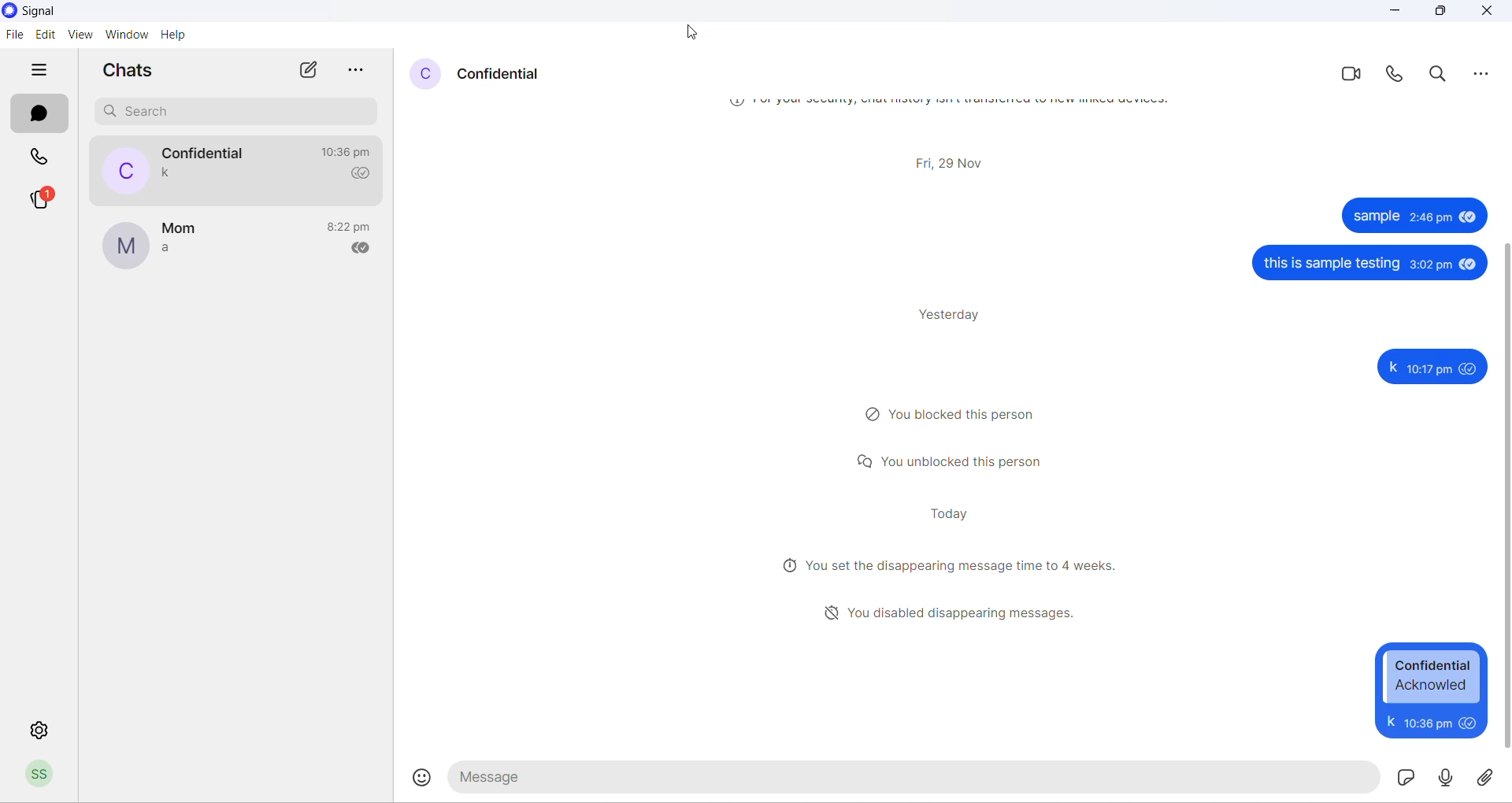 This screenshot has height=803, width=1512. I want to click on maximize, so click(1438, 11).